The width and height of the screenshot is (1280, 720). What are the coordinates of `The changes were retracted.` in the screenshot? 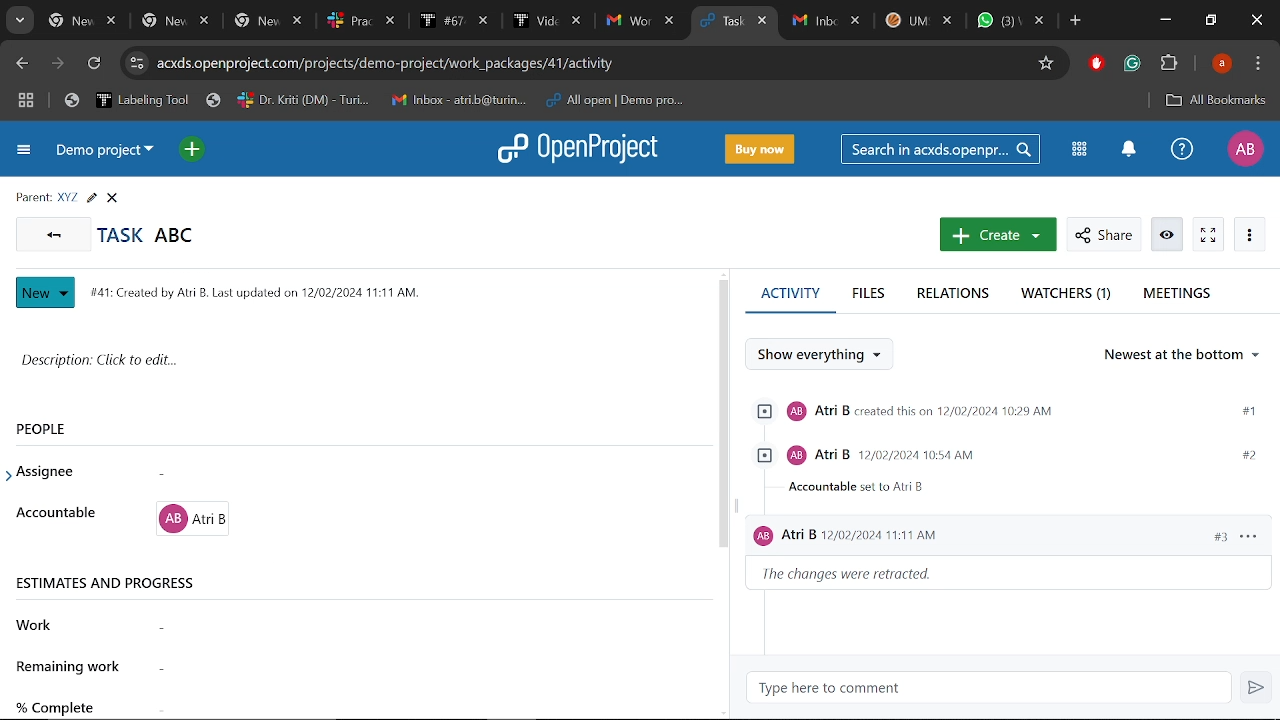 It's located at (864, 577).